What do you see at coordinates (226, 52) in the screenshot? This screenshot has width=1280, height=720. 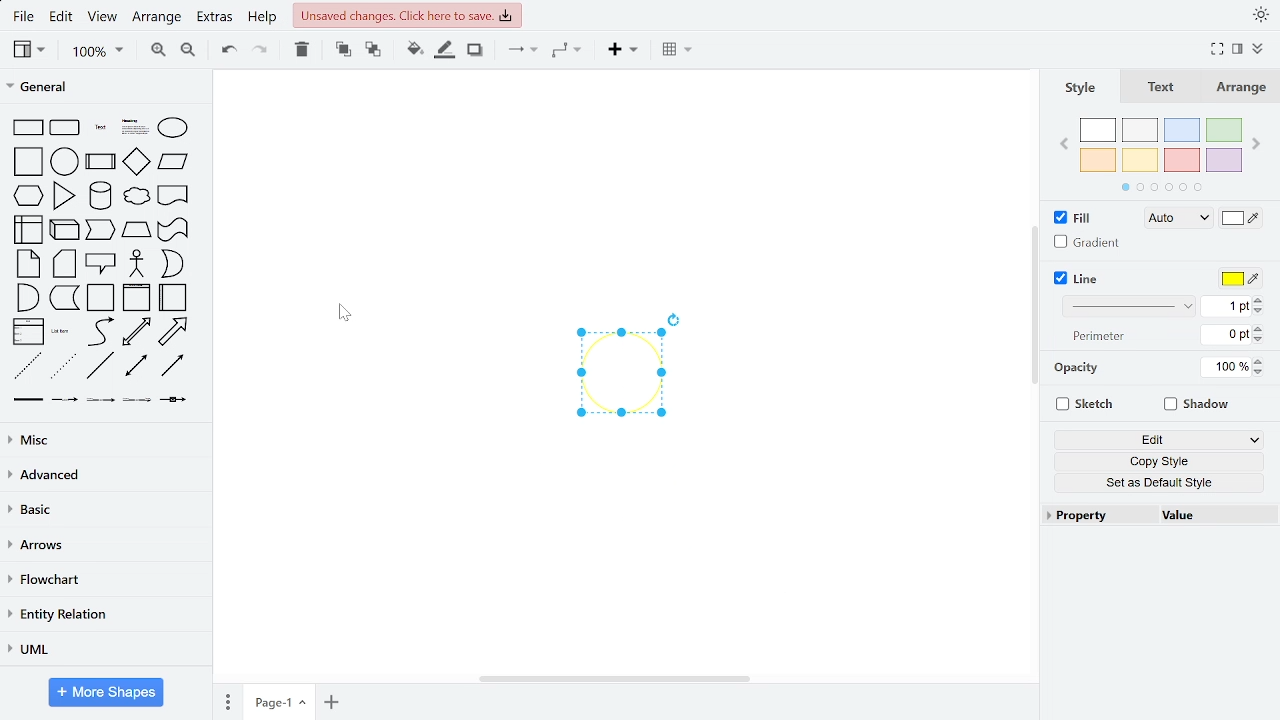 I see `undo` at bounding box center [226, 52].